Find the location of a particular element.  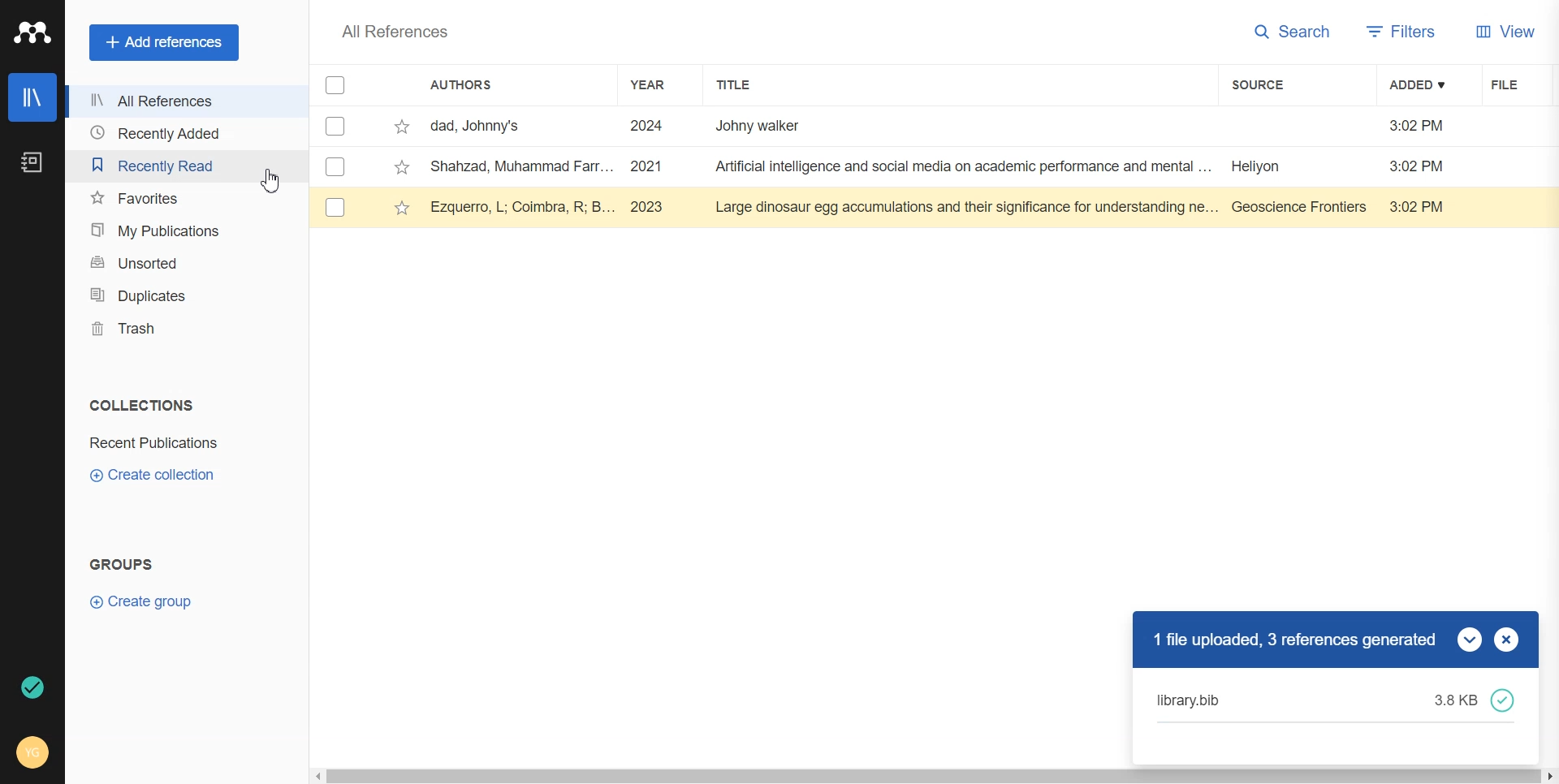

Text is located at coordinates (142, 406).